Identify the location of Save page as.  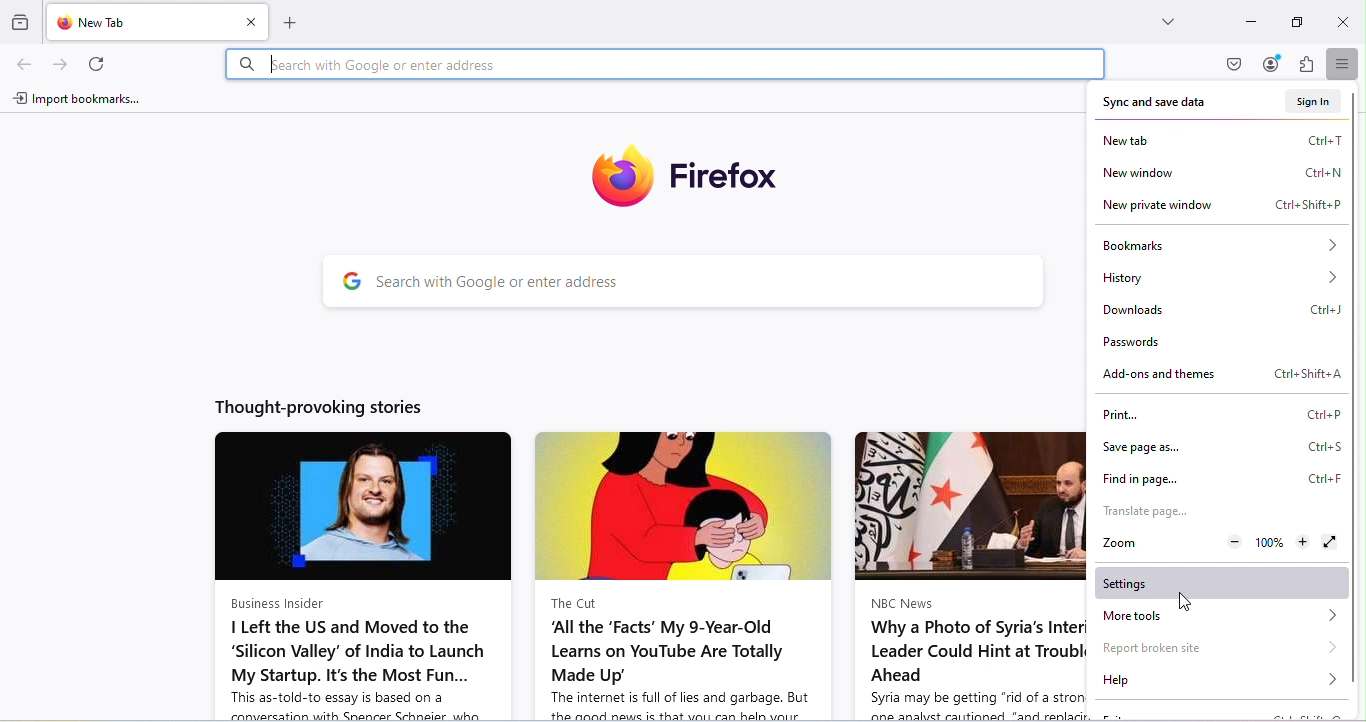
(1226, 446).